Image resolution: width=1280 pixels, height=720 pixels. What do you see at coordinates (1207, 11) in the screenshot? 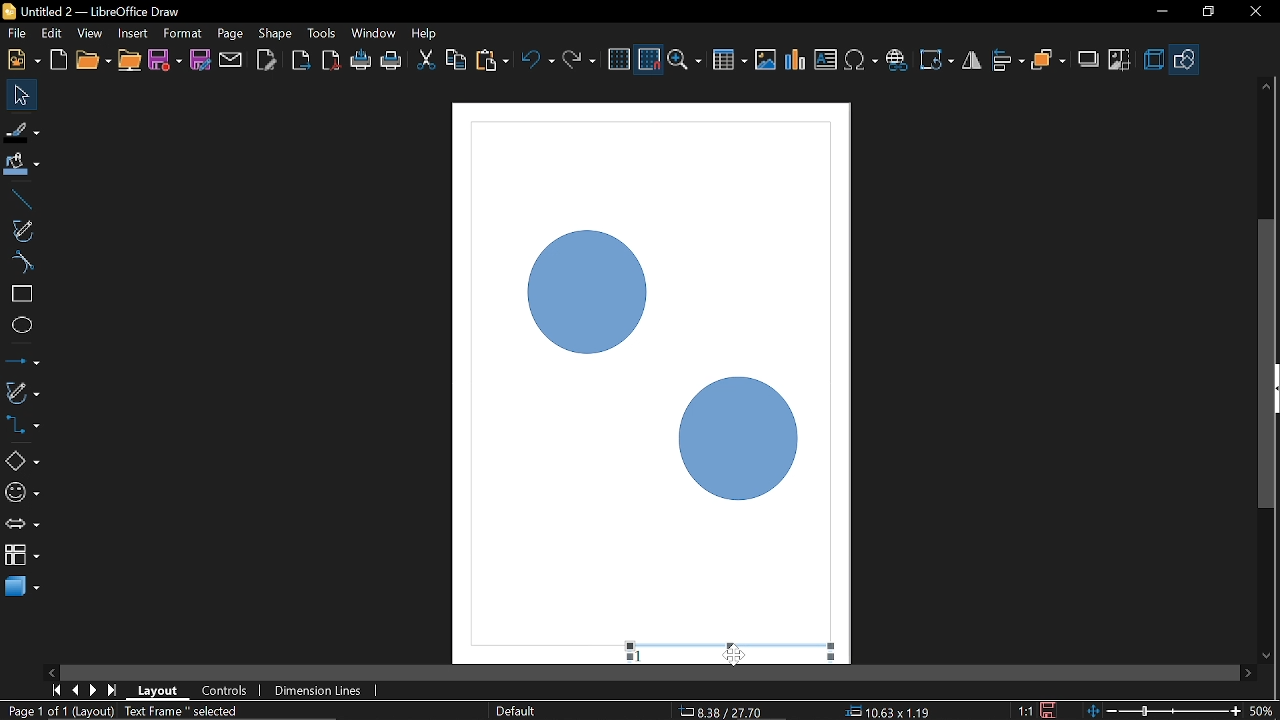
I see `Restore down` at bounding box center [1207, 11].